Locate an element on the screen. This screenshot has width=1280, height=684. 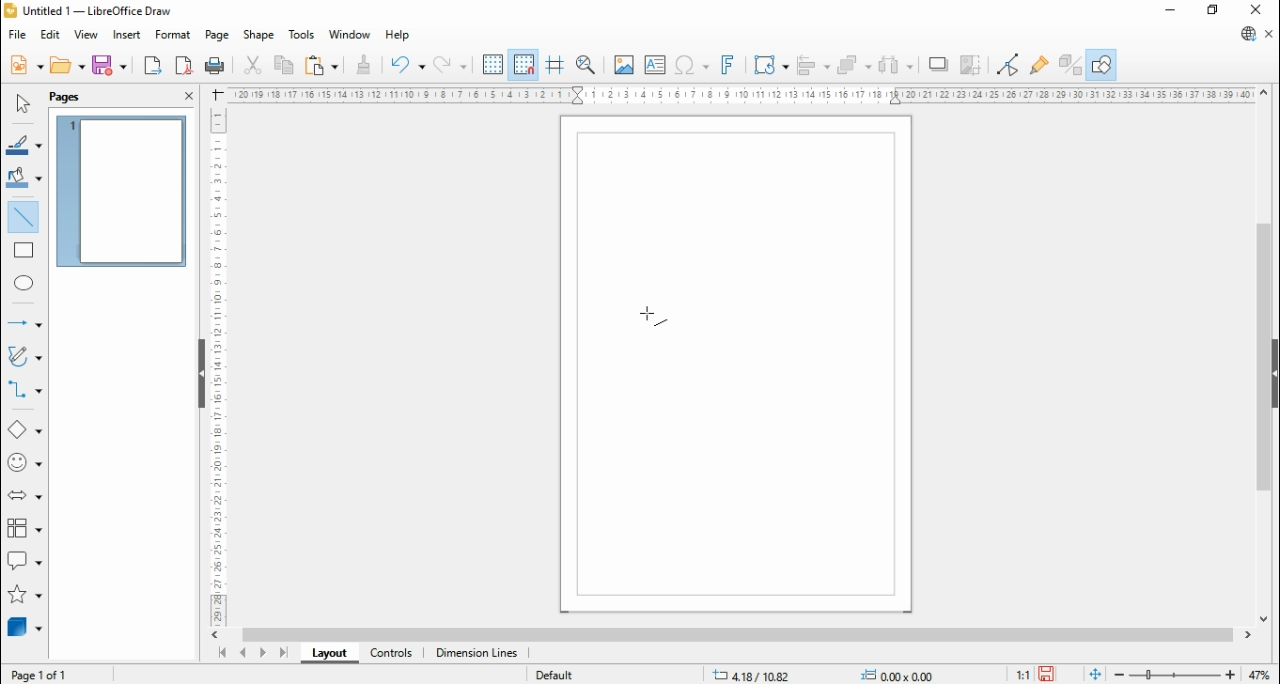
snap to grids is located at coordinates (525, 63).